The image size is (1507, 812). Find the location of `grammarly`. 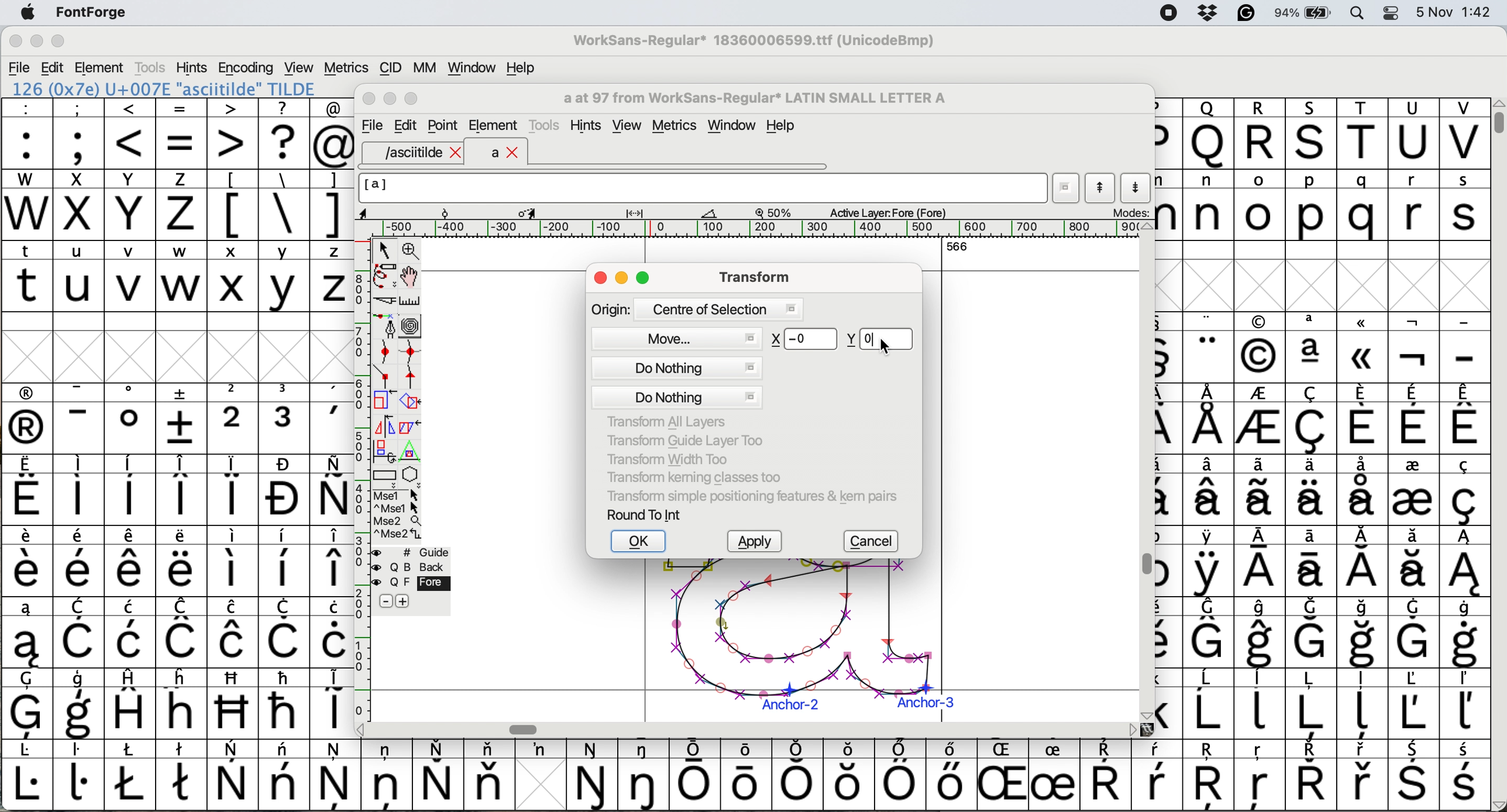

grammarly is located at coordinates (1245, 15).